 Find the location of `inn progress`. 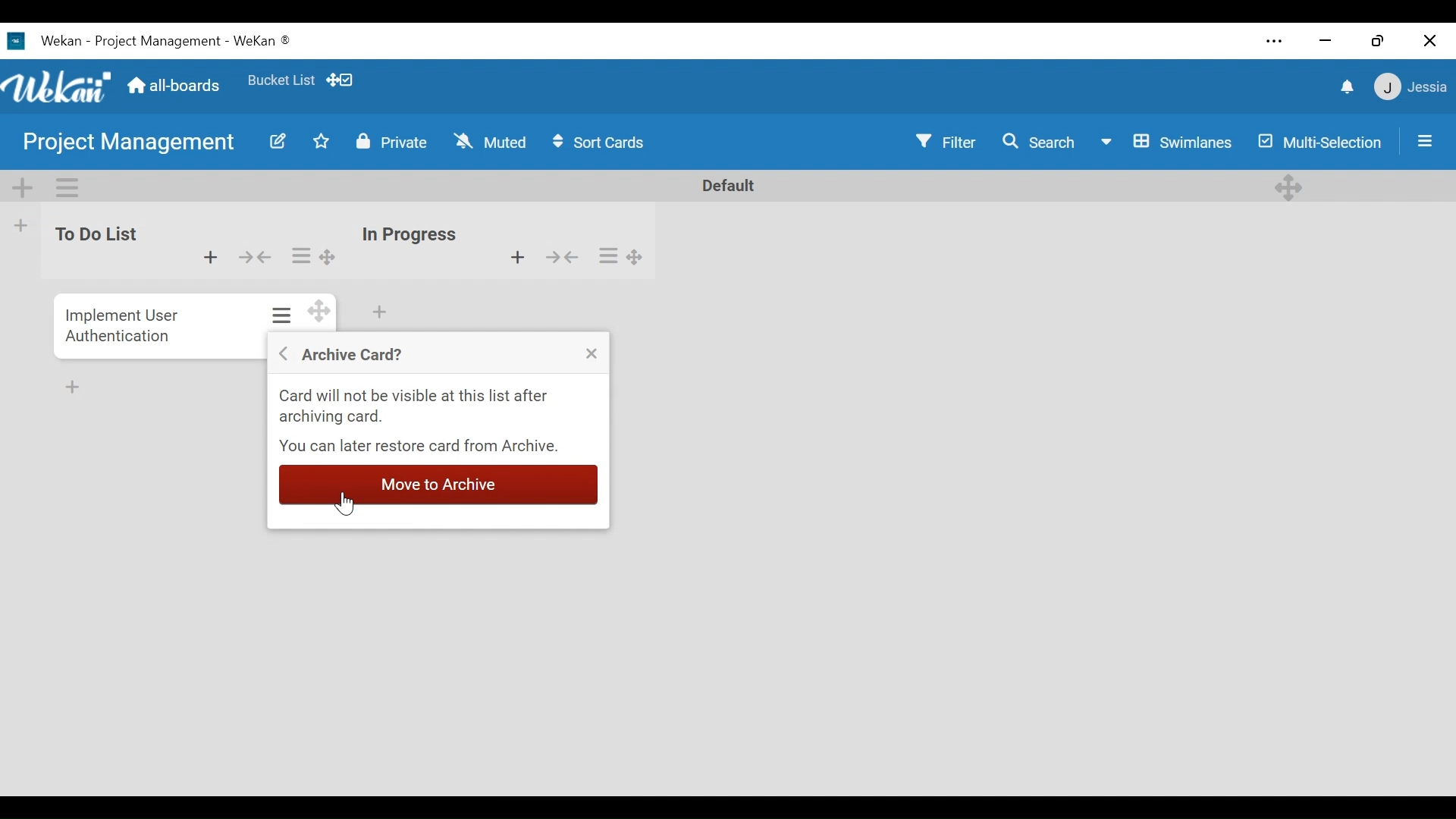

inn progress is located at coordinates (410, 228).